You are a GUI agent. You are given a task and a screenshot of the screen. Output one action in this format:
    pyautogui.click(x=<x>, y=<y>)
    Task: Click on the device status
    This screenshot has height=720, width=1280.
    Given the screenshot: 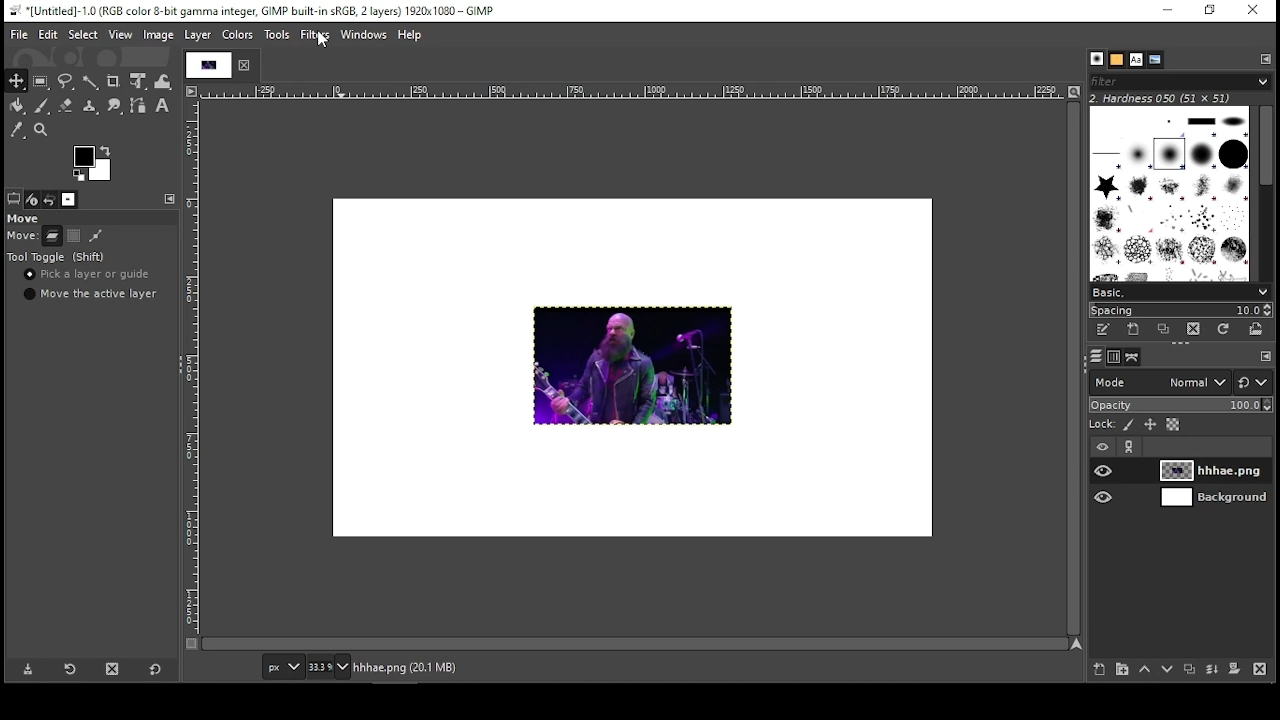 What is the action you would take?
    pyautogui.click(x=30, y=199)
    